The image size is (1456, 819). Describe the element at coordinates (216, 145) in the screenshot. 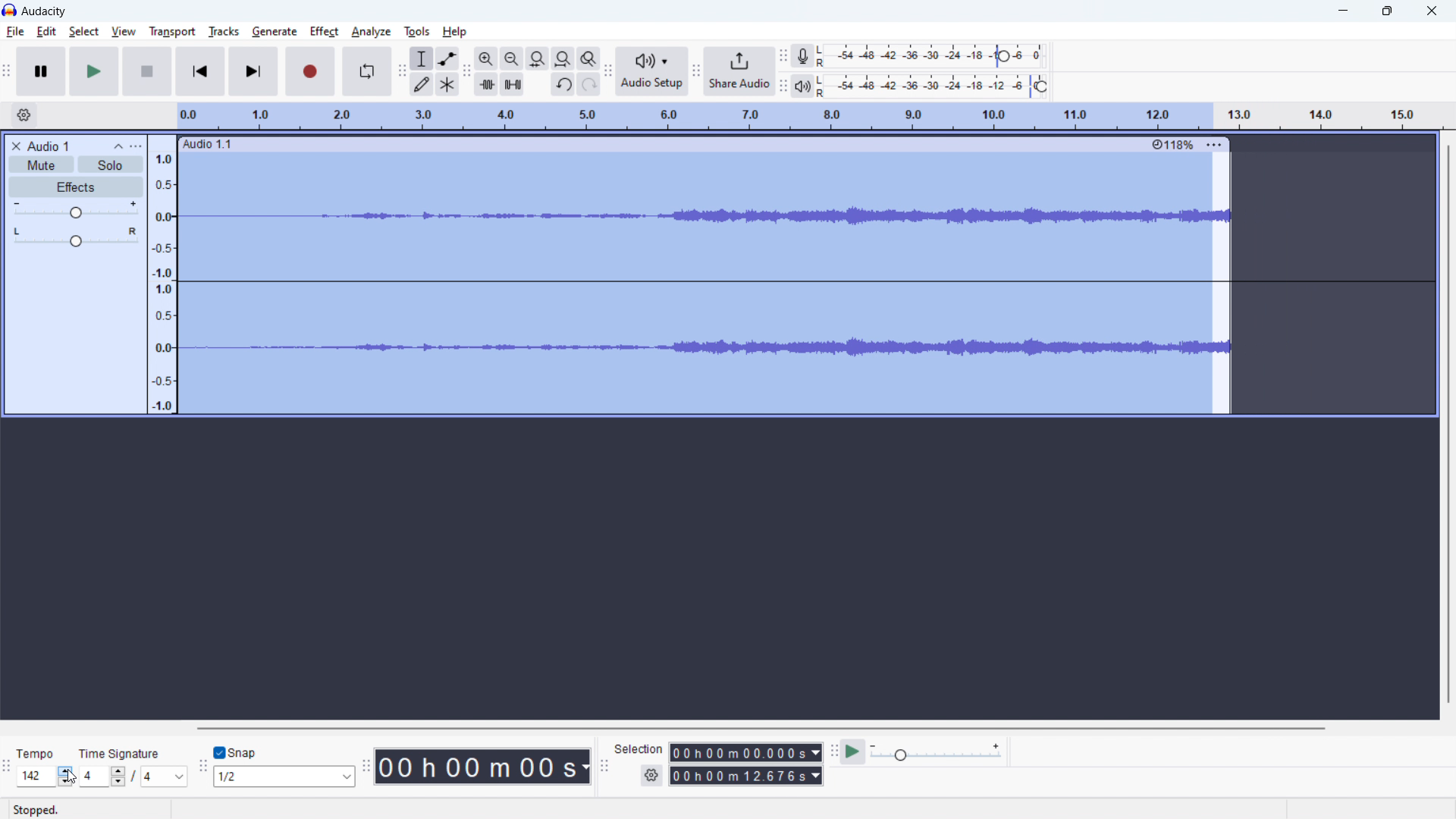

I see `Audio` at that location.